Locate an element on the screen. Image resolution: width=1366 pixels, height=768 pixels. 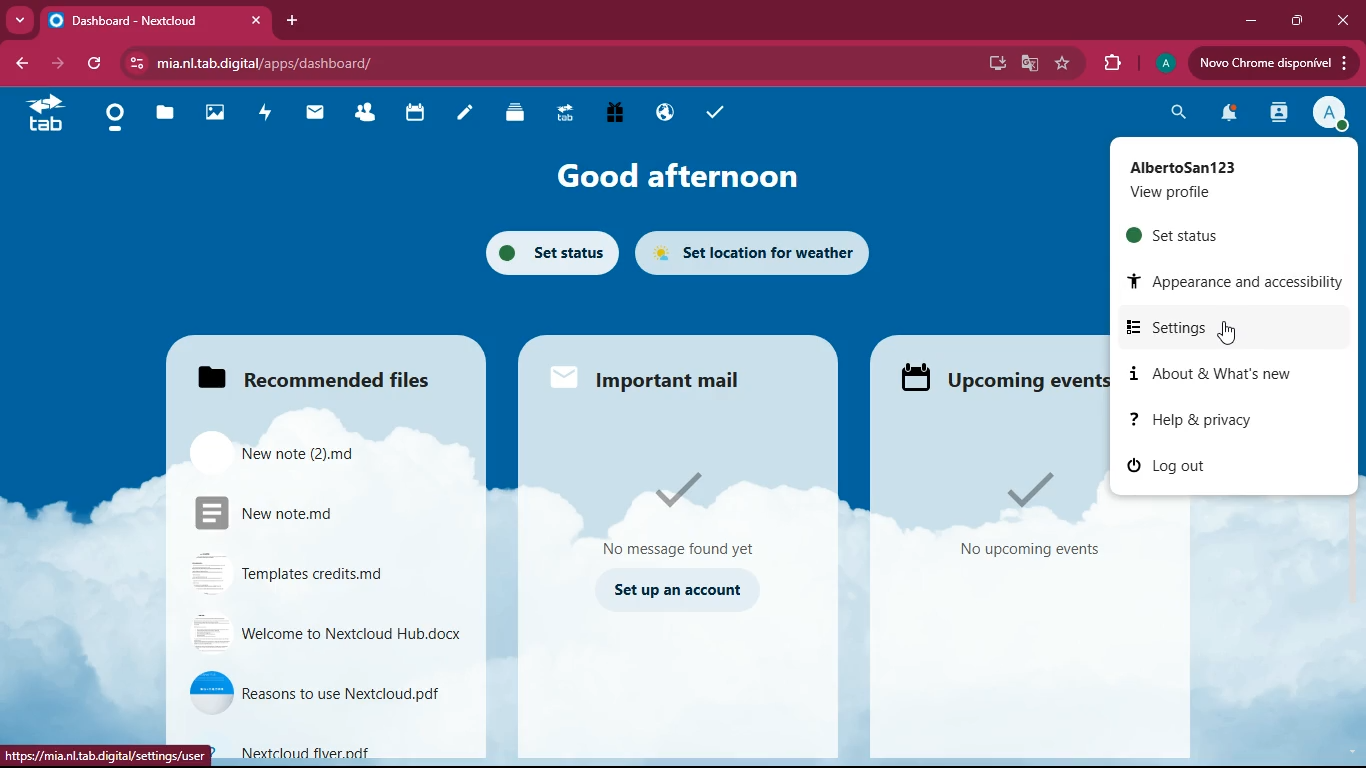
files is located at coordinates (316, 453).